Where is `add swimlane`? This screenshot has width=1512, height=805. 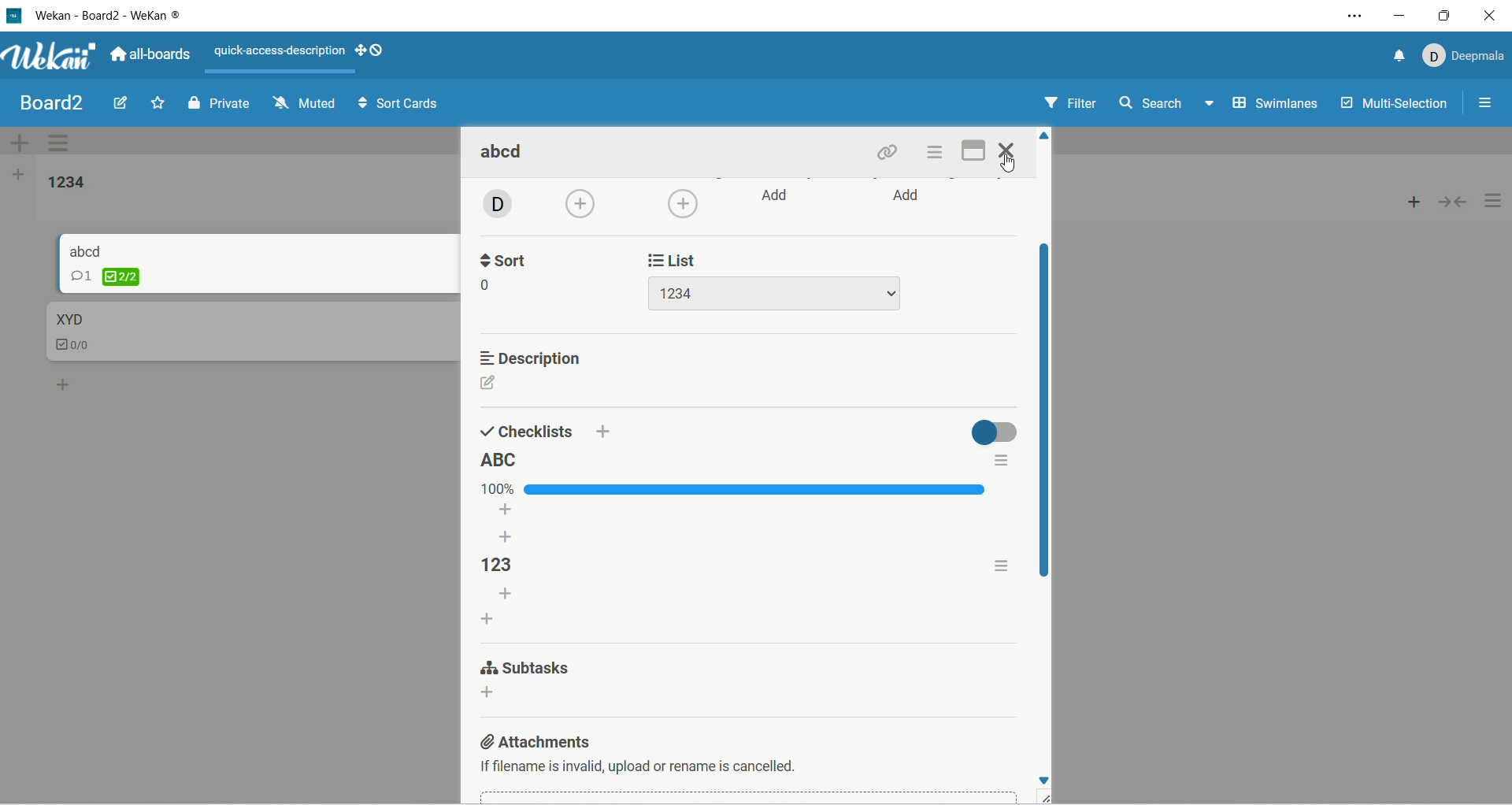
add swimlane is located at coordinates (16, 139).